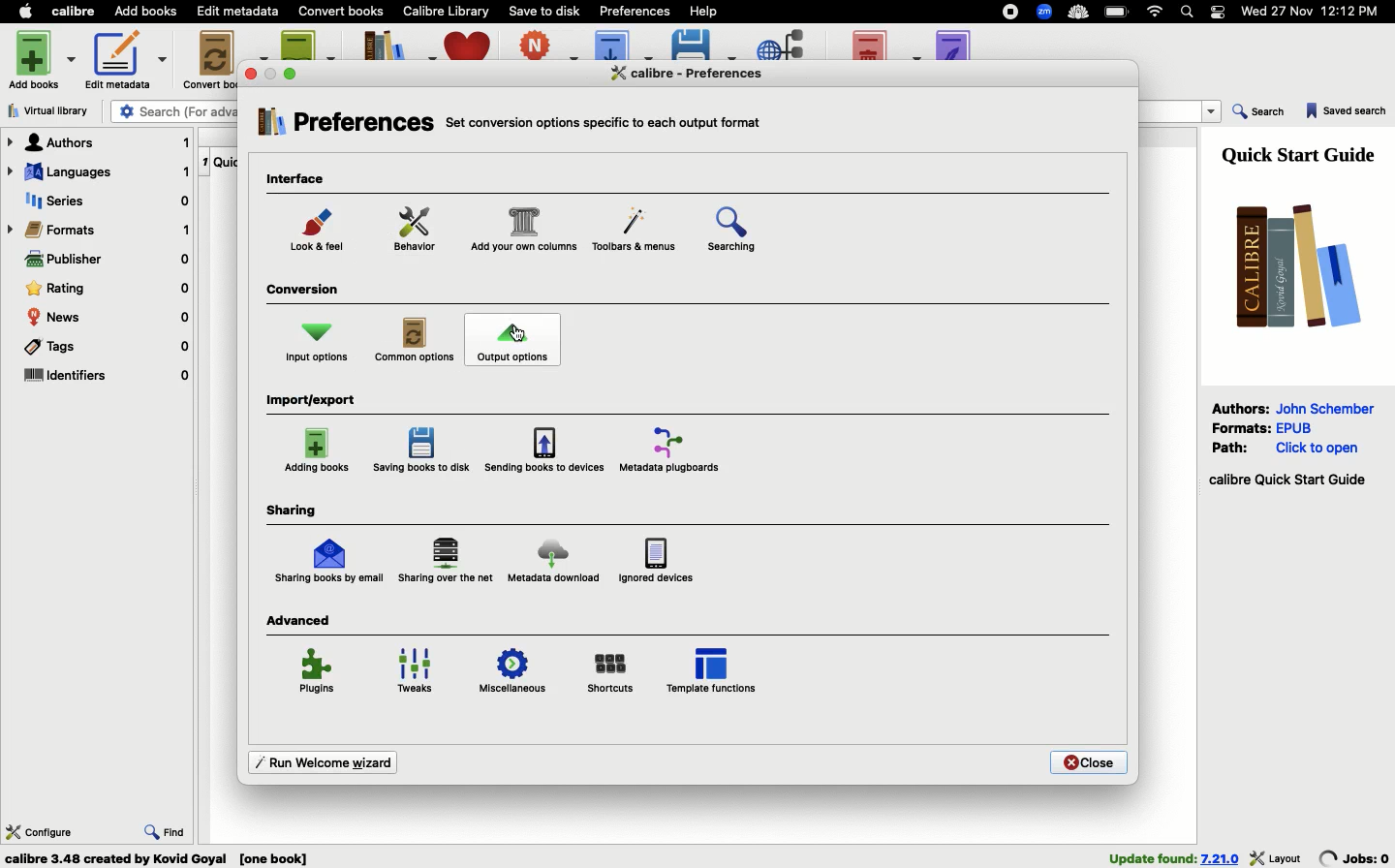 The image size is (1395, 868). I want to click on Edit metadata, so click(239, 12).